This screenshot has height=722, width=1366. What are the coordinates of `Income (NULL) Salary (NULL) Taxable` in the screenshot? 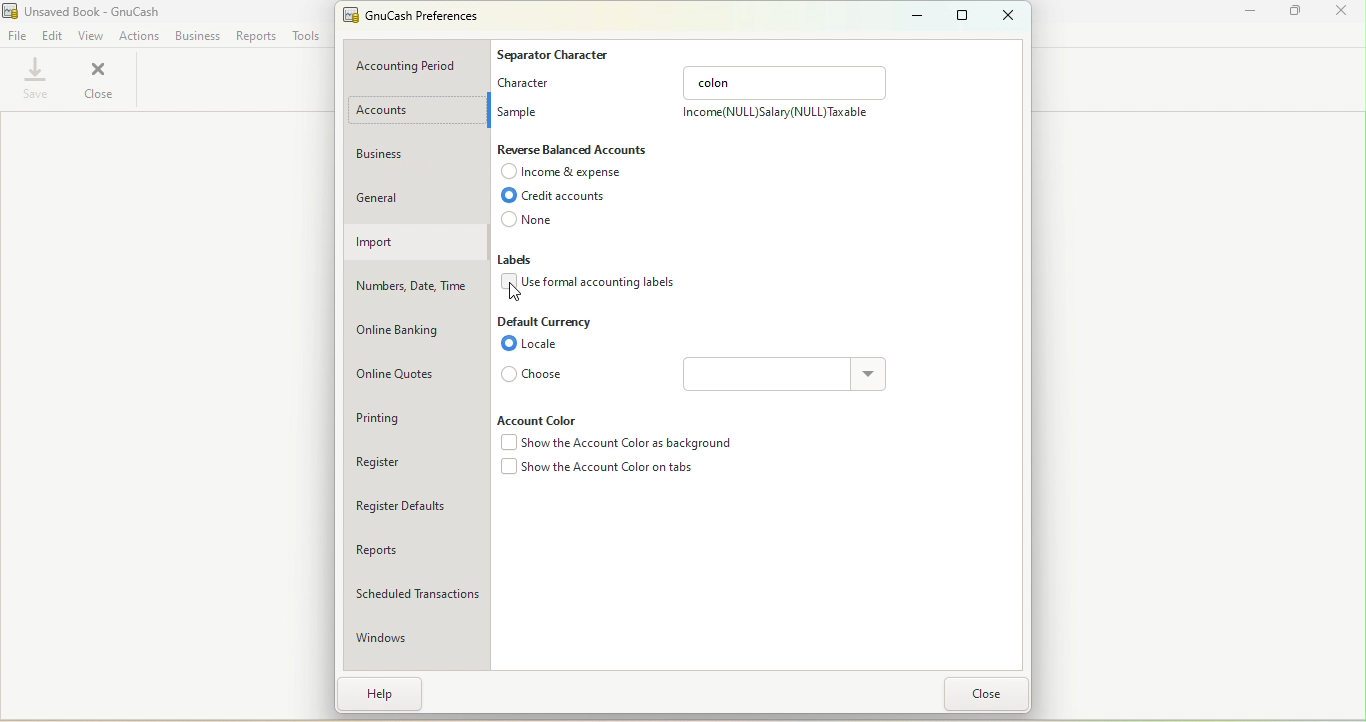 It's located at (775, 116).